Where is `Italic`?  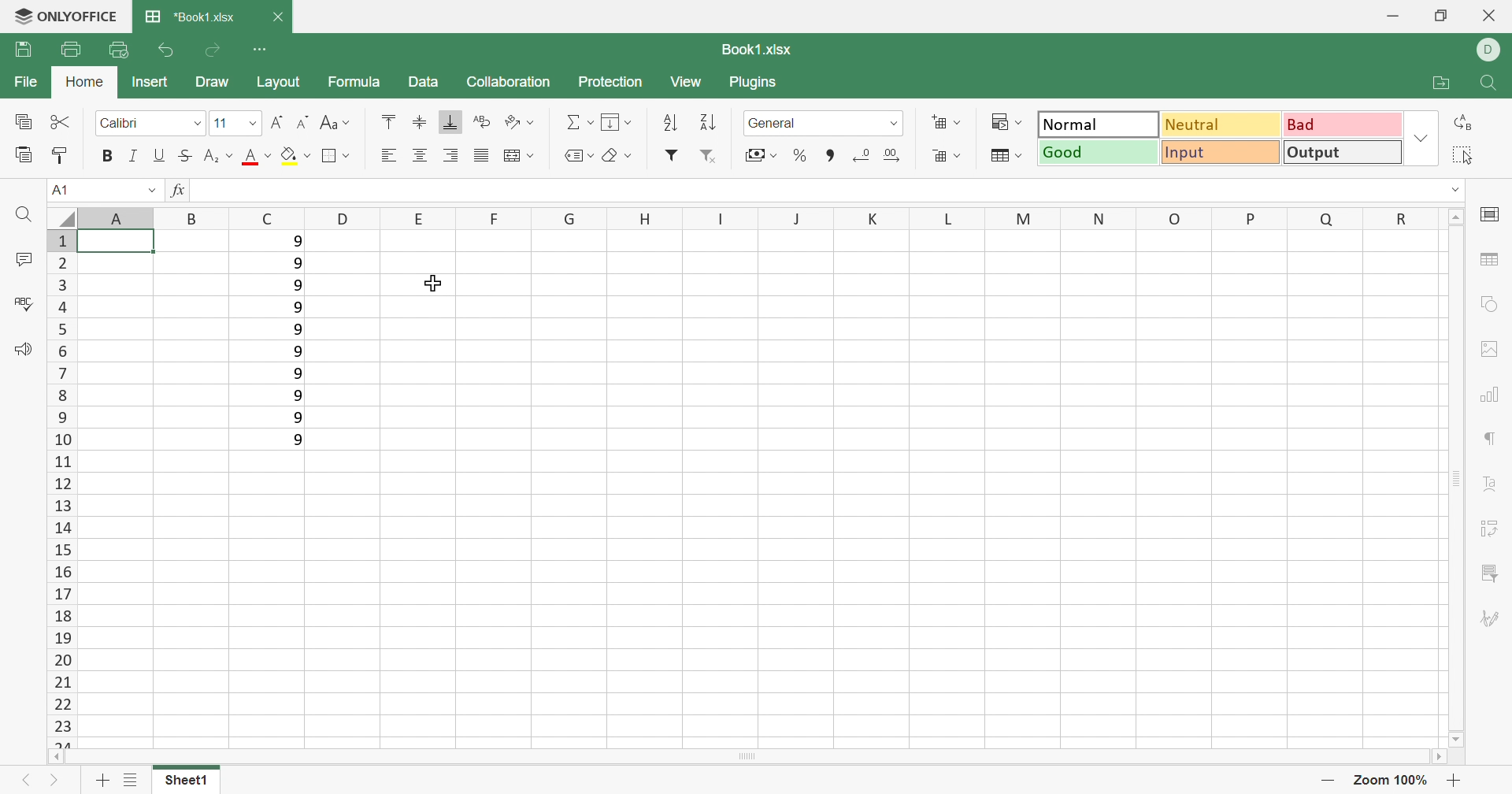
Italic is located at coordinates (138, 157).